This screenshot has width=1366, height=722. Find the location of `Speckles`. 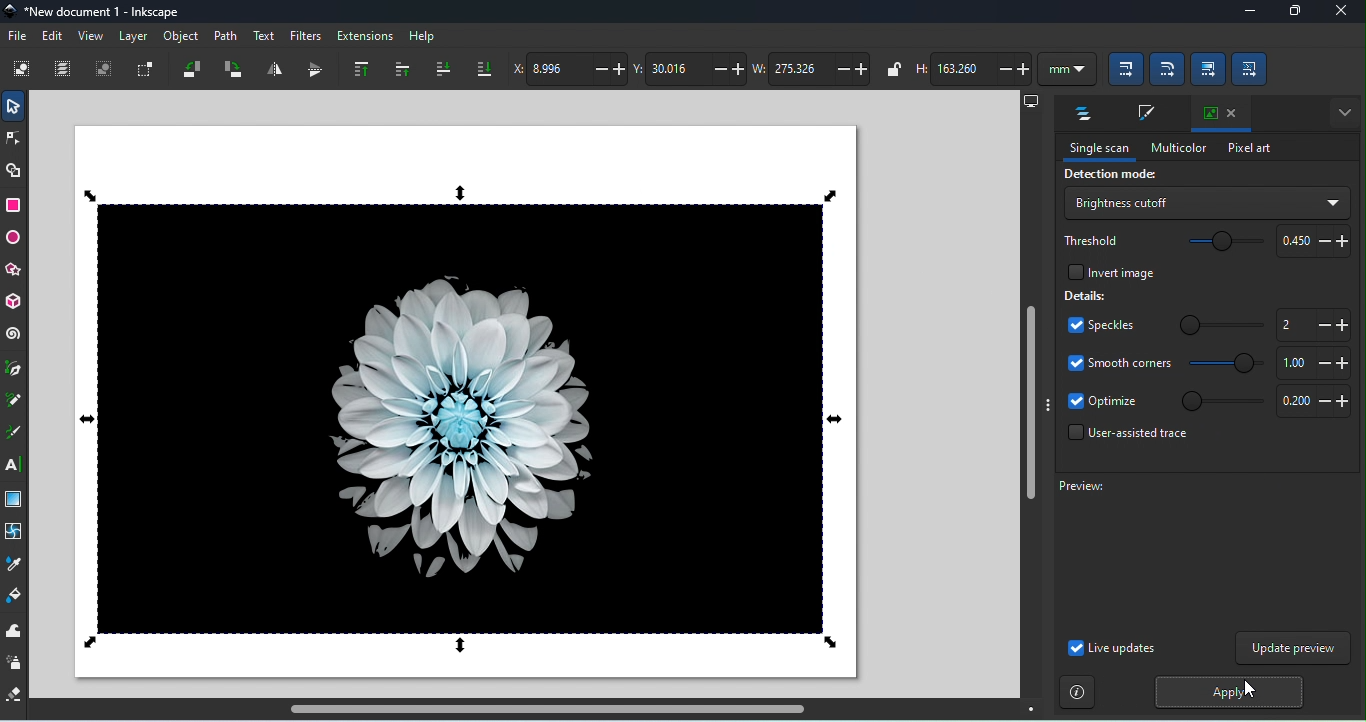

Speckles is located at coordinates (1100, 325).